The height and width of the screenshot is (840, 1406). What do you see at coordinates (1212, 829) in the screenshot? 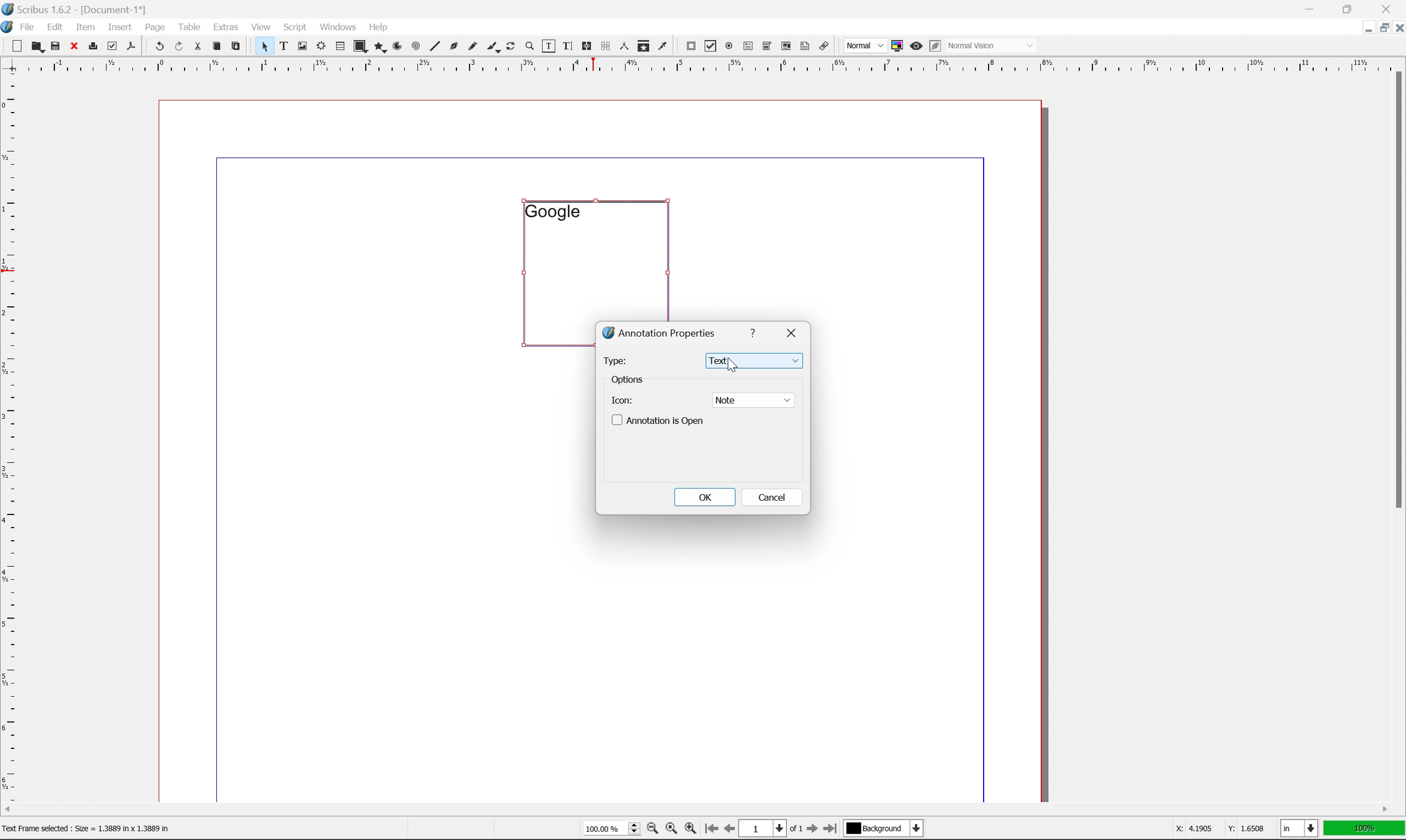
I see `coordinates` at bounding box center [1212, 829].